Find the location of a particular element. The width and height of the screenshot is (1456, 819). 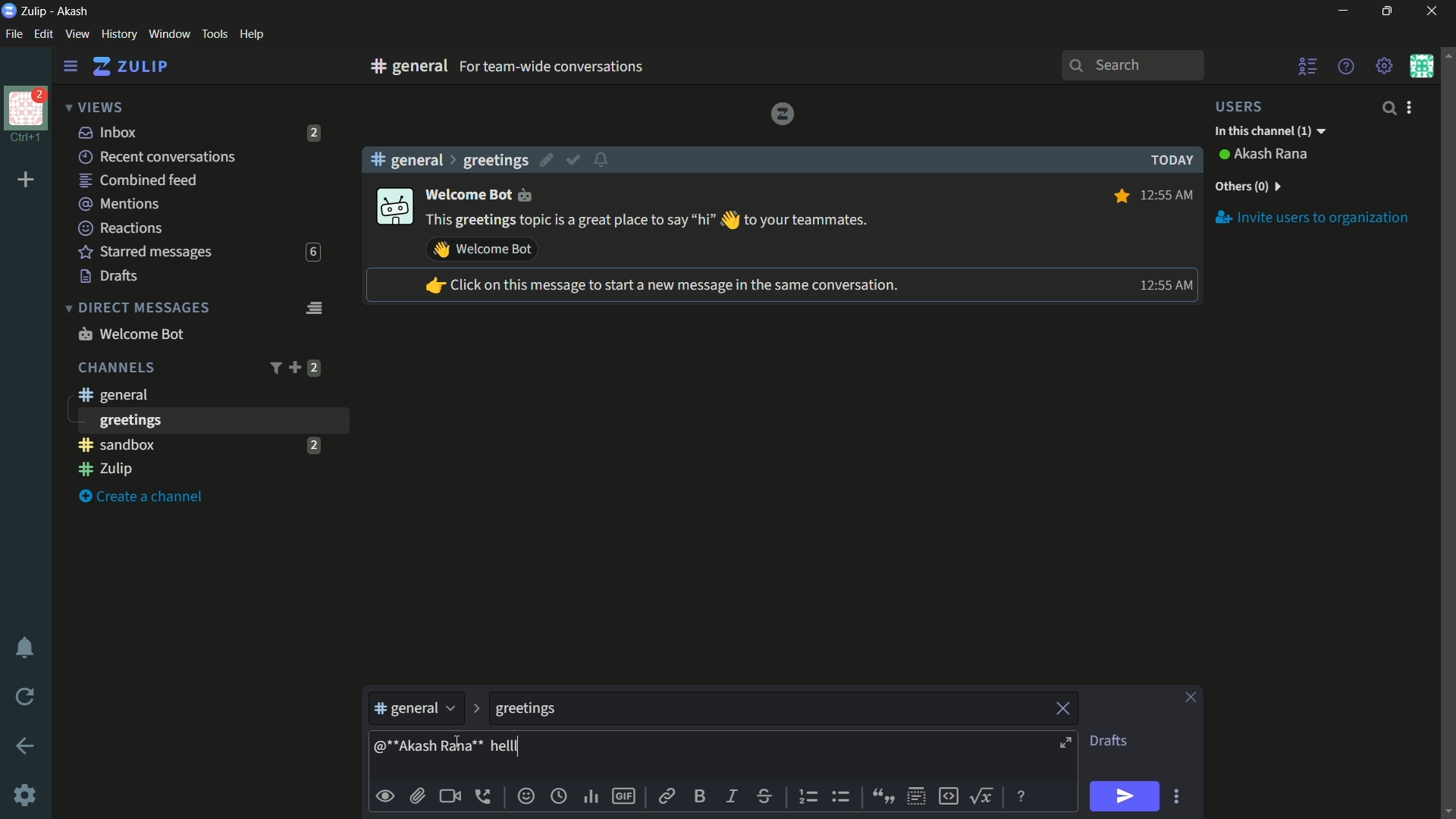

channels is located at coordinates (115, 368).